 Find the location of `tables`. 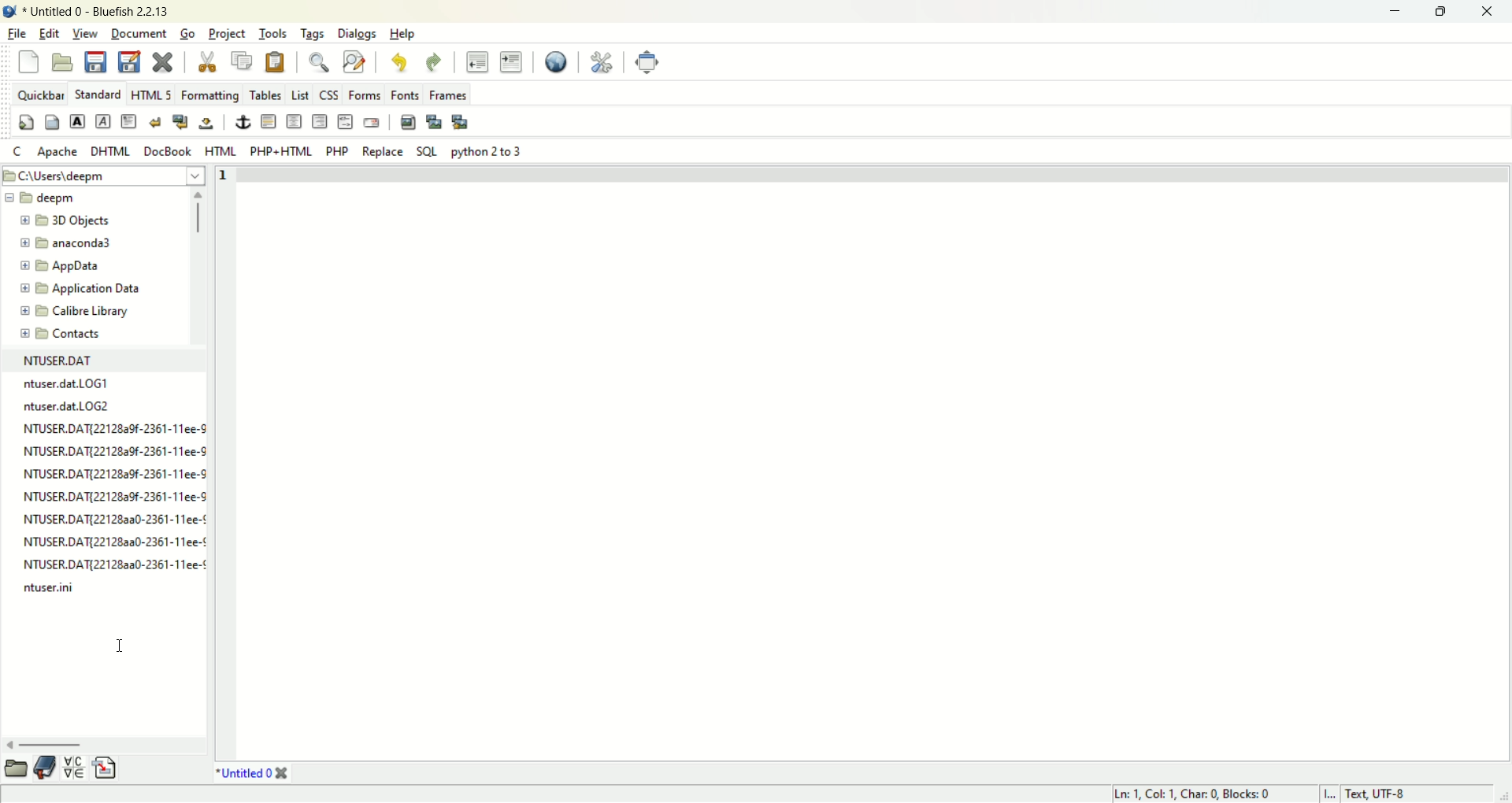

tables is located at coordinates (265, 94).